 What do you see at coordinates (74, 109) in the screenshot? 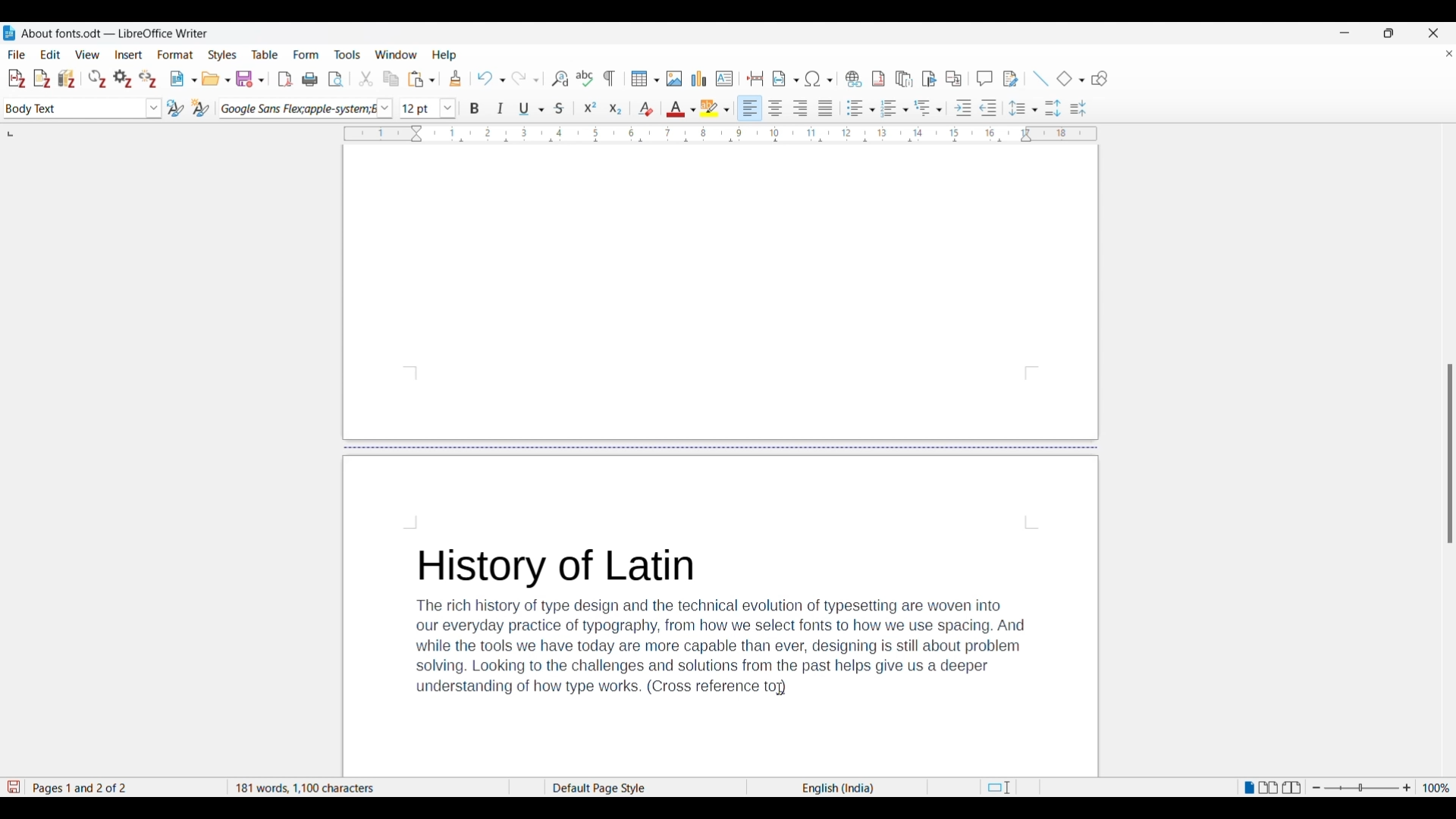
I see `Current paragraph selection` at bounding box center [74, 109].